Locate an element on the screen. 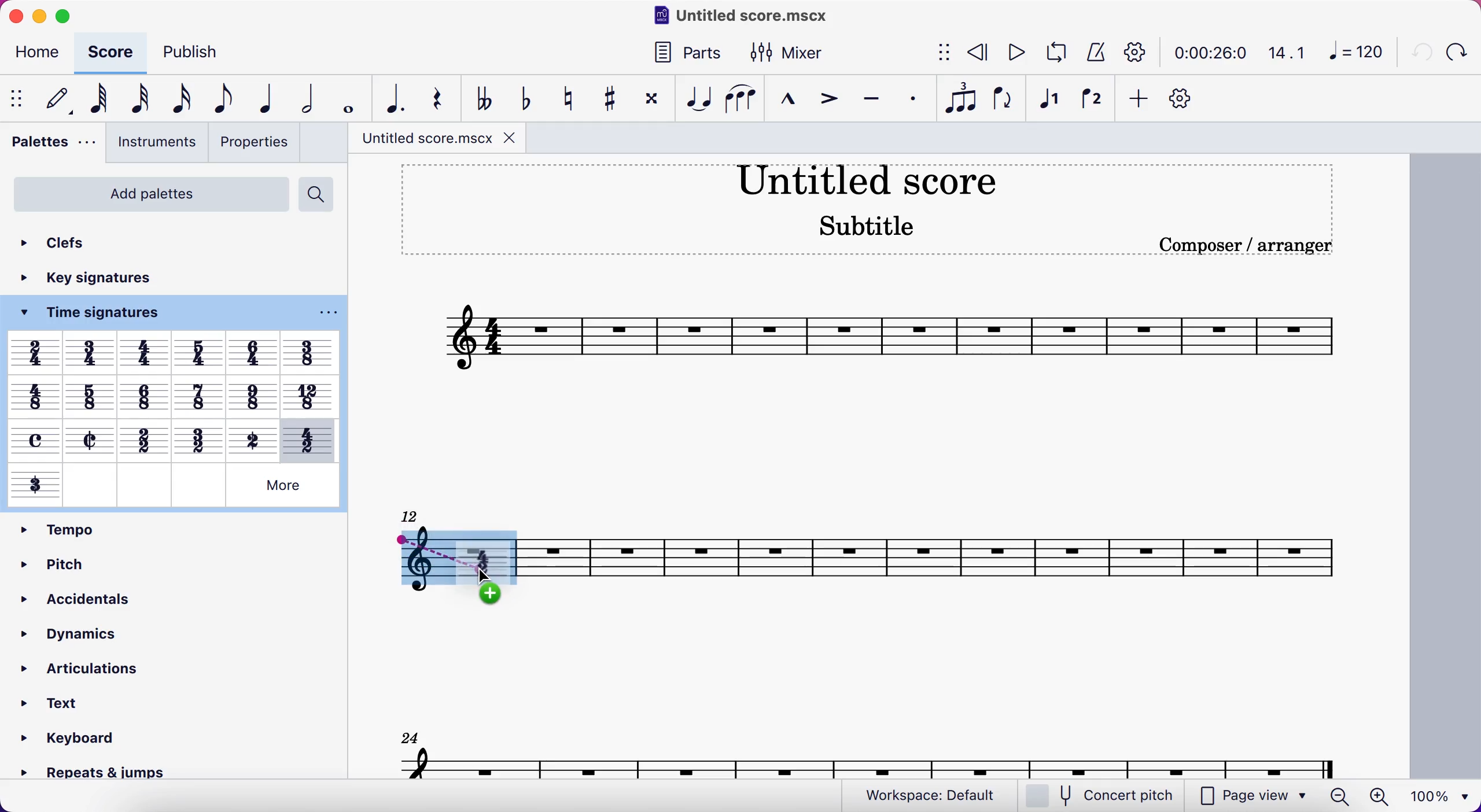 The height and width of the screenshot is (812, 1481). Subtitle is located at coordinates (868, 223).